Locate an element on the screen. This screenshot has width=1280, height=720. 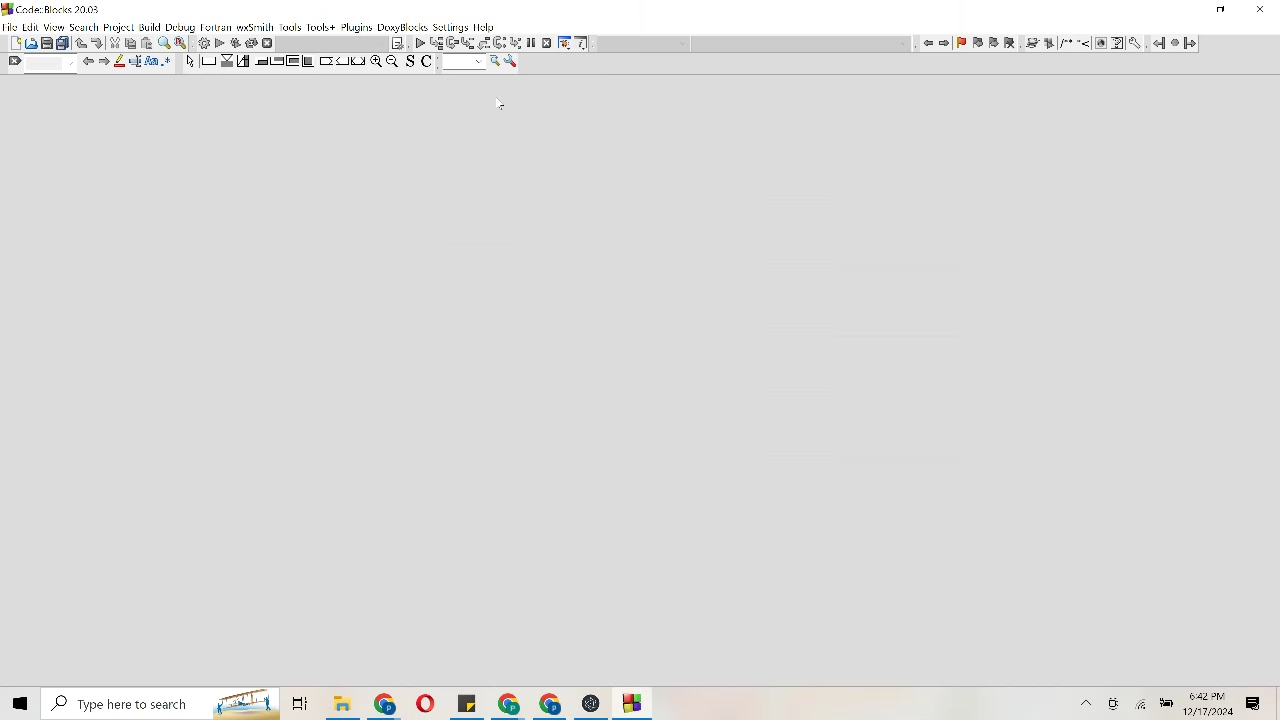
Time and date is located at coordinates (1212, 704).